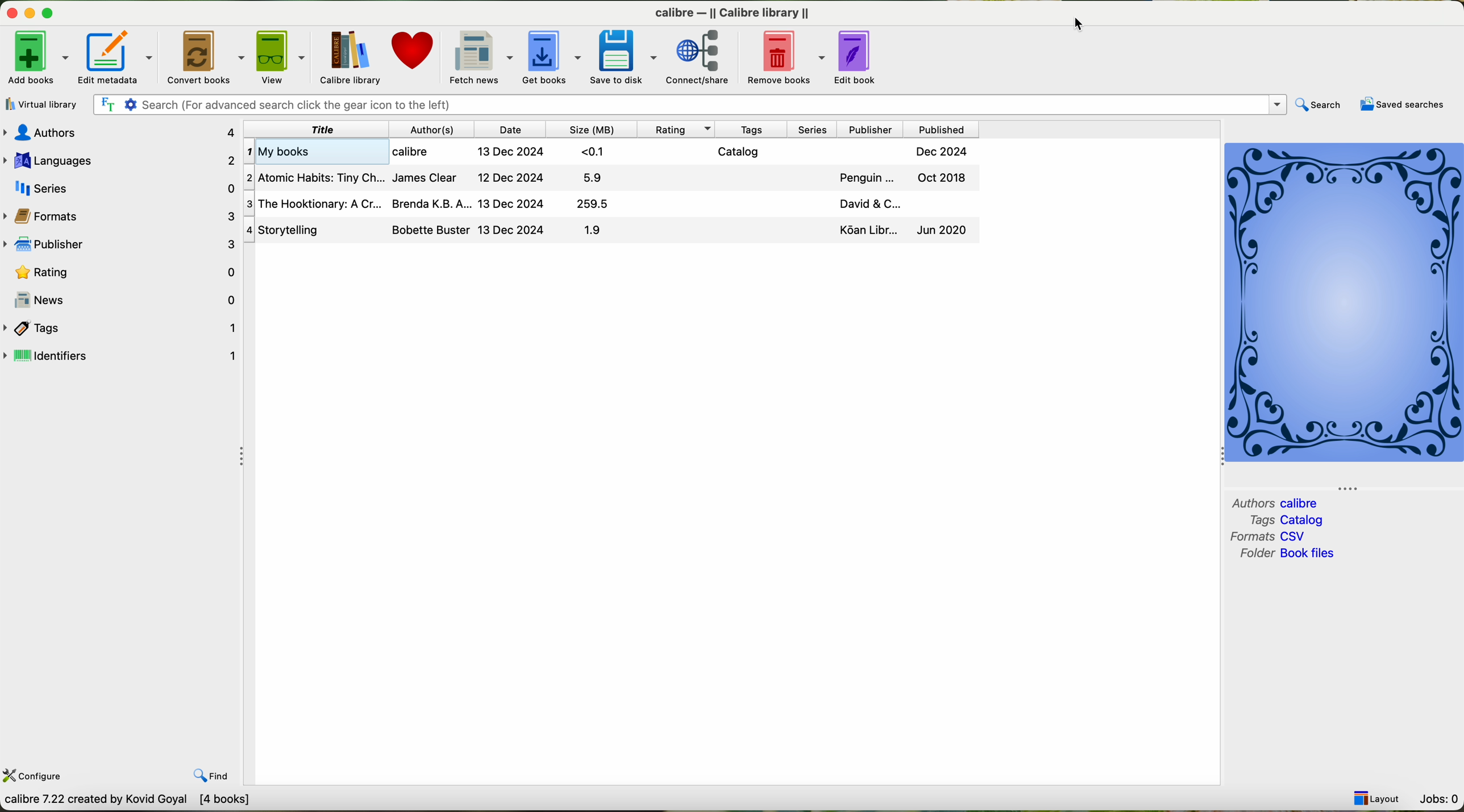 The width and height of the screenshot is (1464, 812). Describe the element at coordinates (612, 152) in the screenshot. I see `my books catalog` at that location.